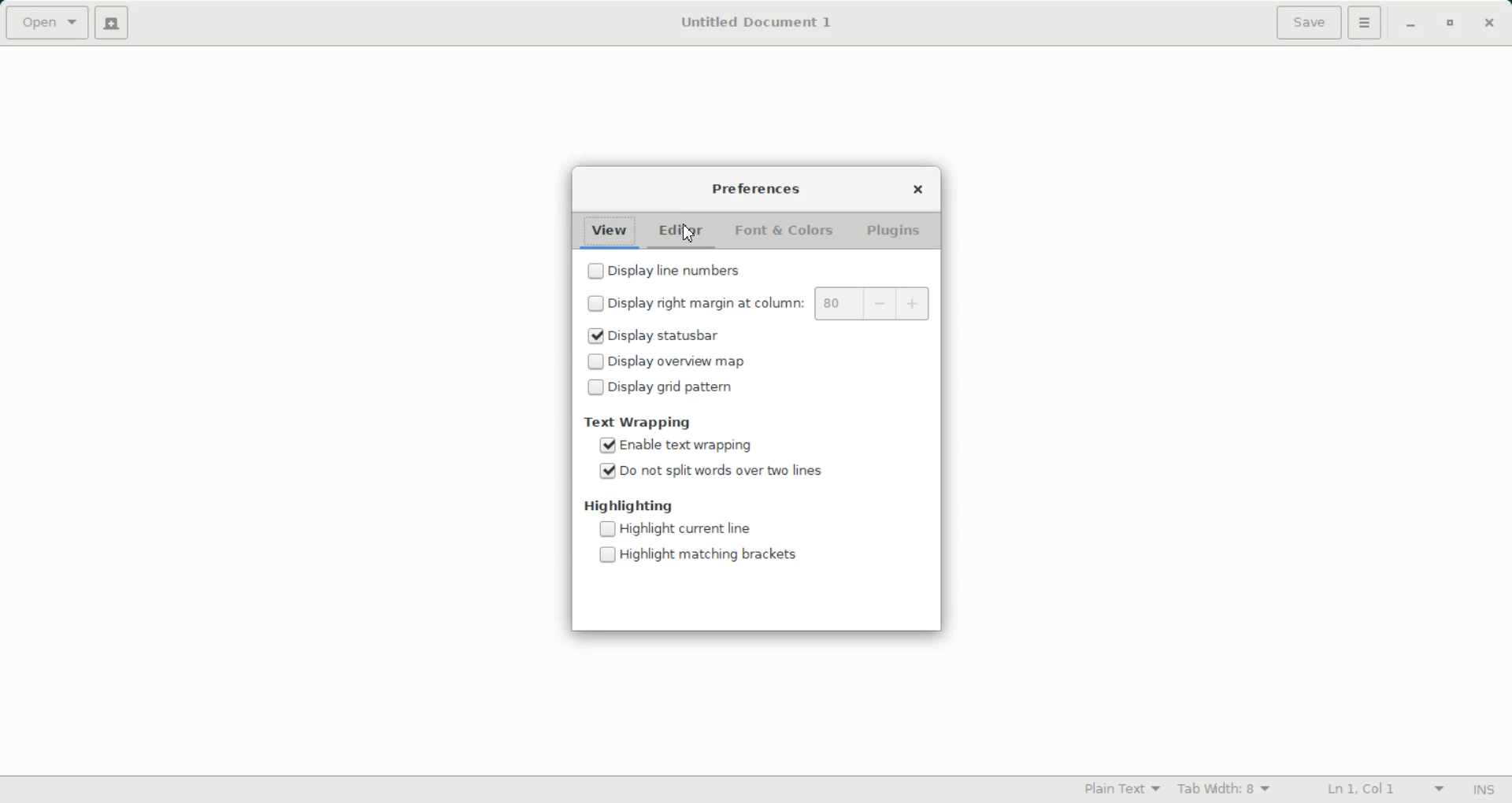  I want to click on Cursor, so click(688, 234).